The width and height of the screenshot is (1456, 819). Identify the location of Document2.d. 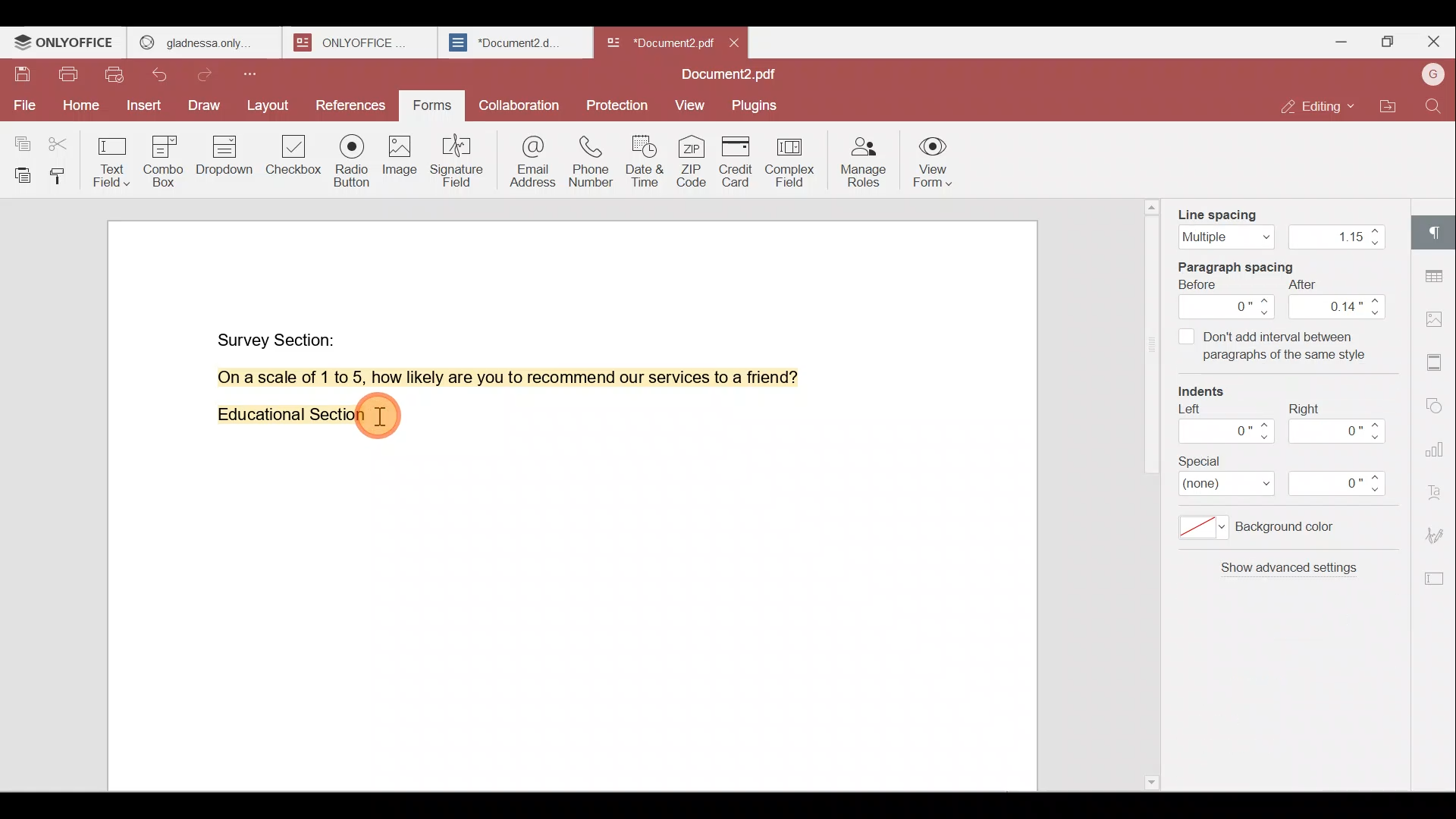
(514, 43).